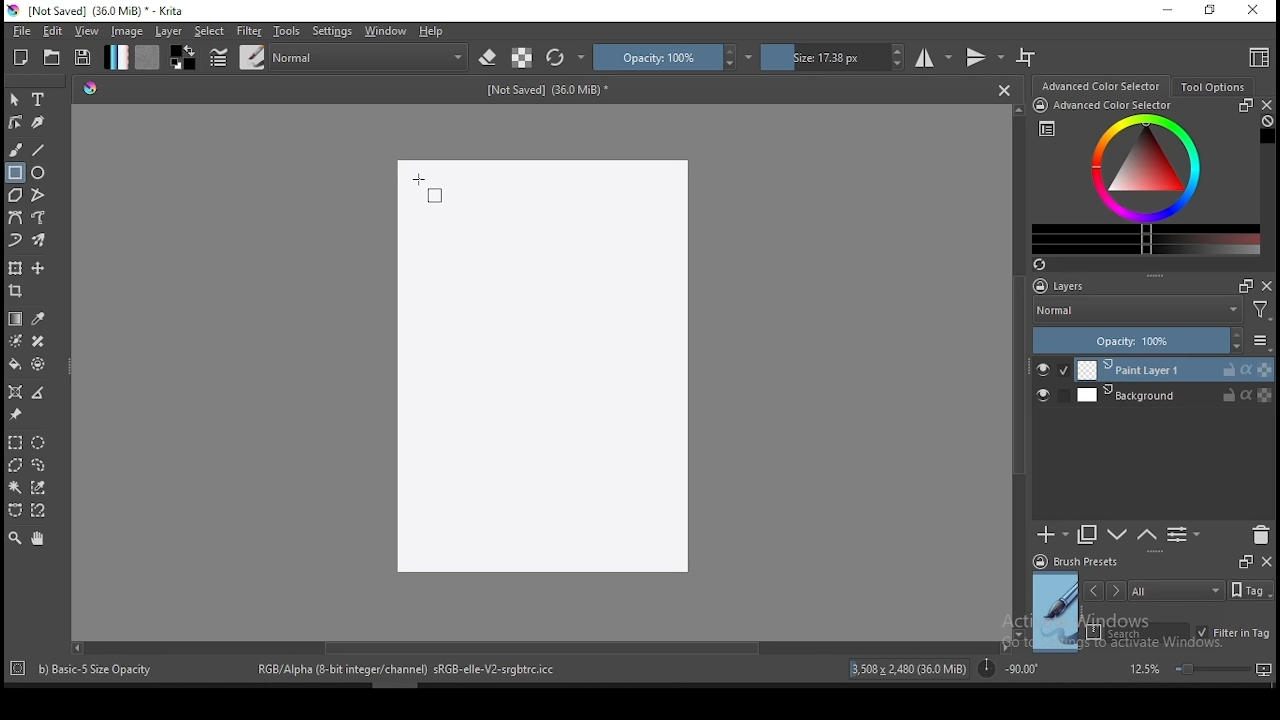  What do you see at coordinates (52, 57) in the screenshot?
I see `open` at bounding box center [52, 57].